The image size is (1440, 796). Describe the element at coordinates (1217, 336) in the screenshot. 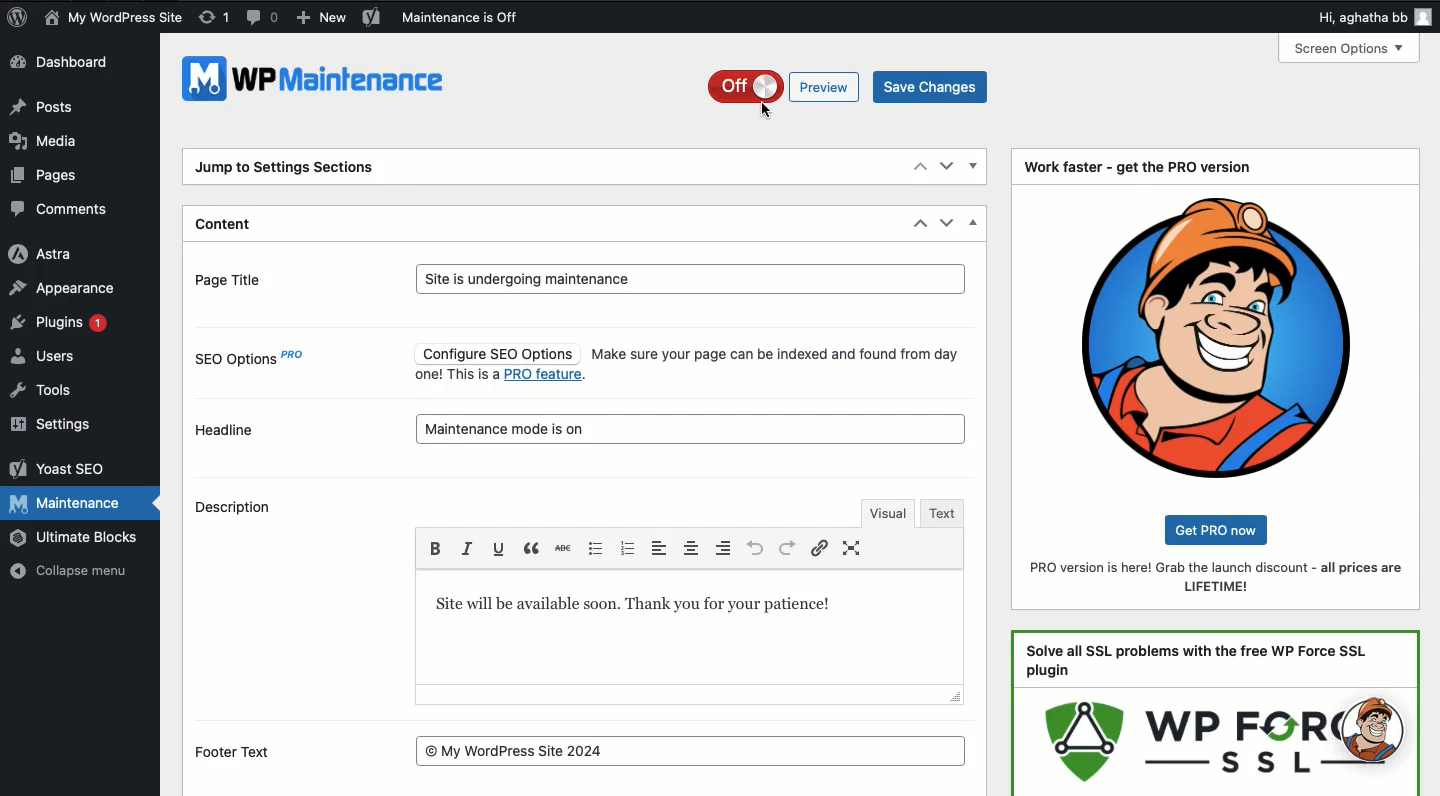

I see `Logo` at that location.